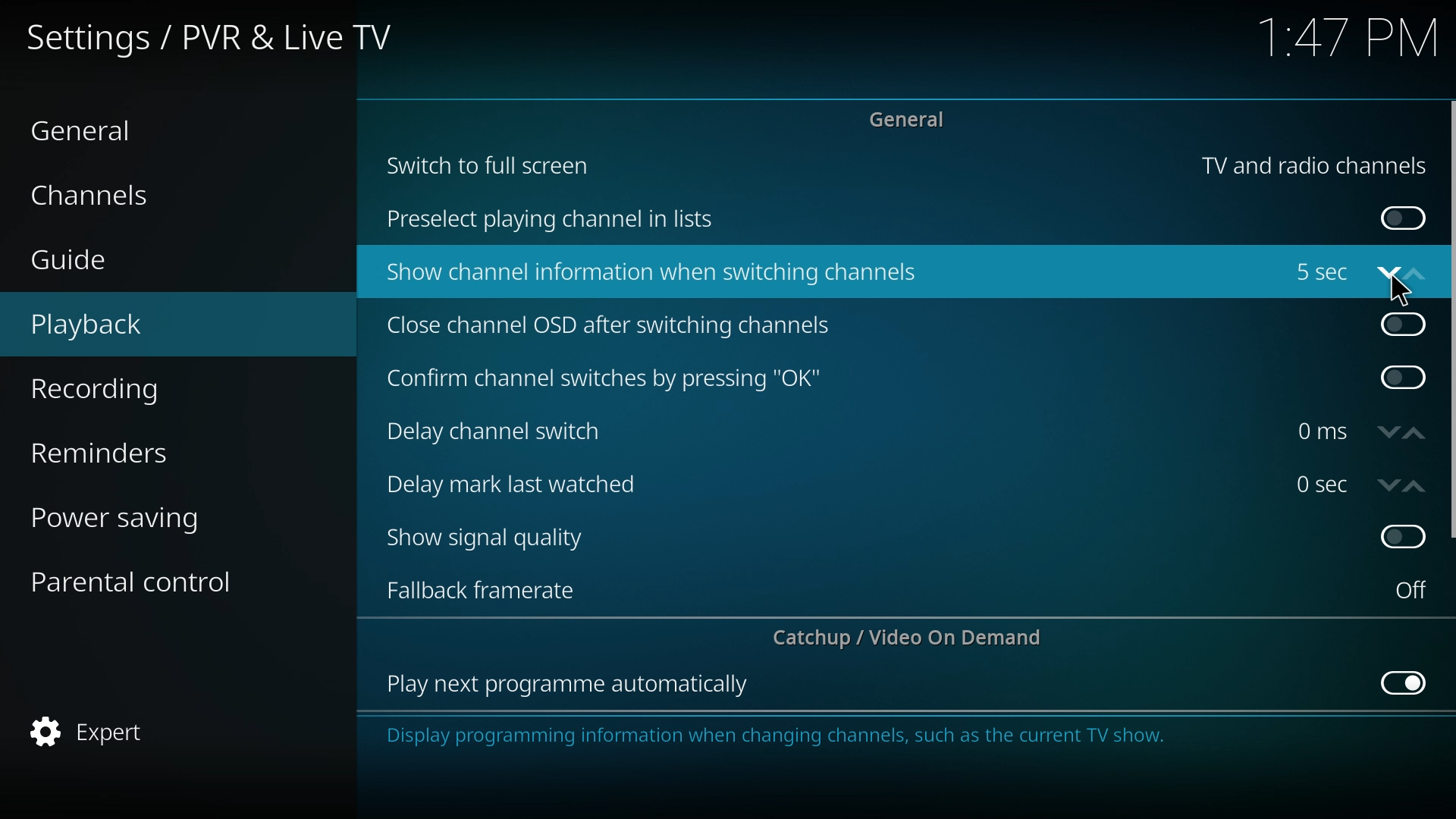 The width and height of the screenshot is (1456, 819). I want to click on cursor, so click(1403, 289).